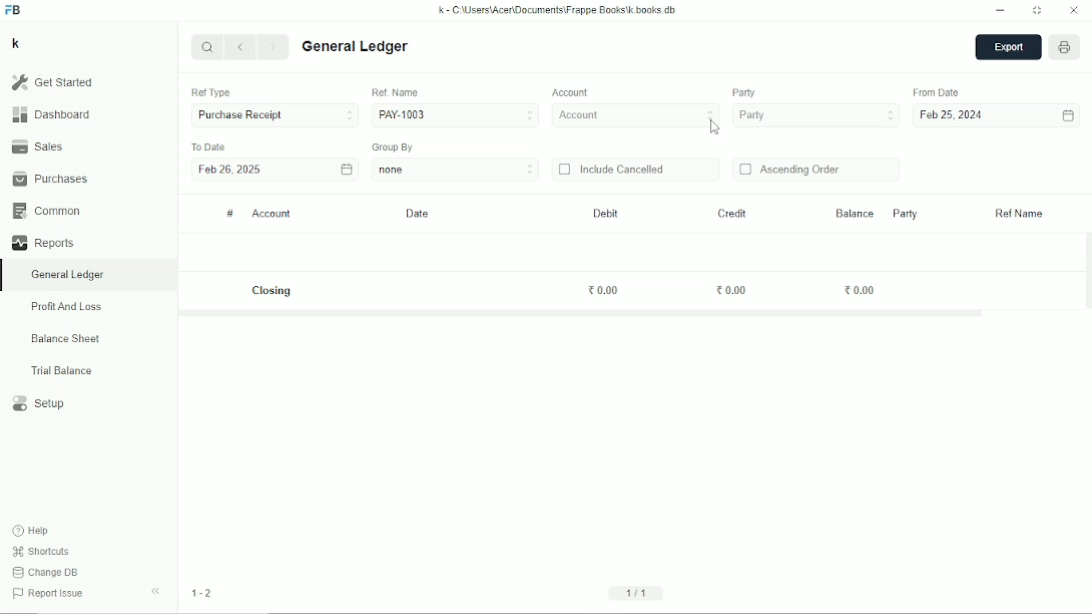  Describe the element at coordinates (42, 552) in the screenshot. I see `Shortcuts` at that location.